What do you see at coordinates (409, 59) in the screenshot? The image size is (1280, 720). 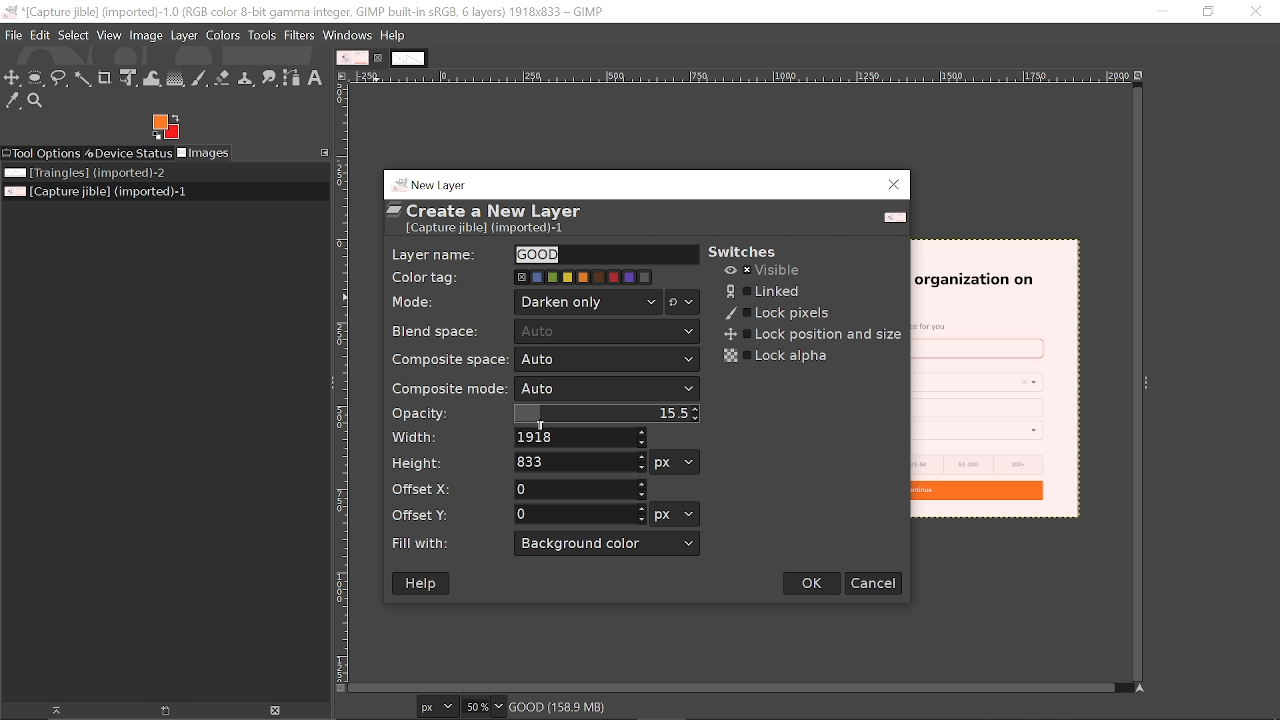 I see `other tab` at bounding box center [409, 59].